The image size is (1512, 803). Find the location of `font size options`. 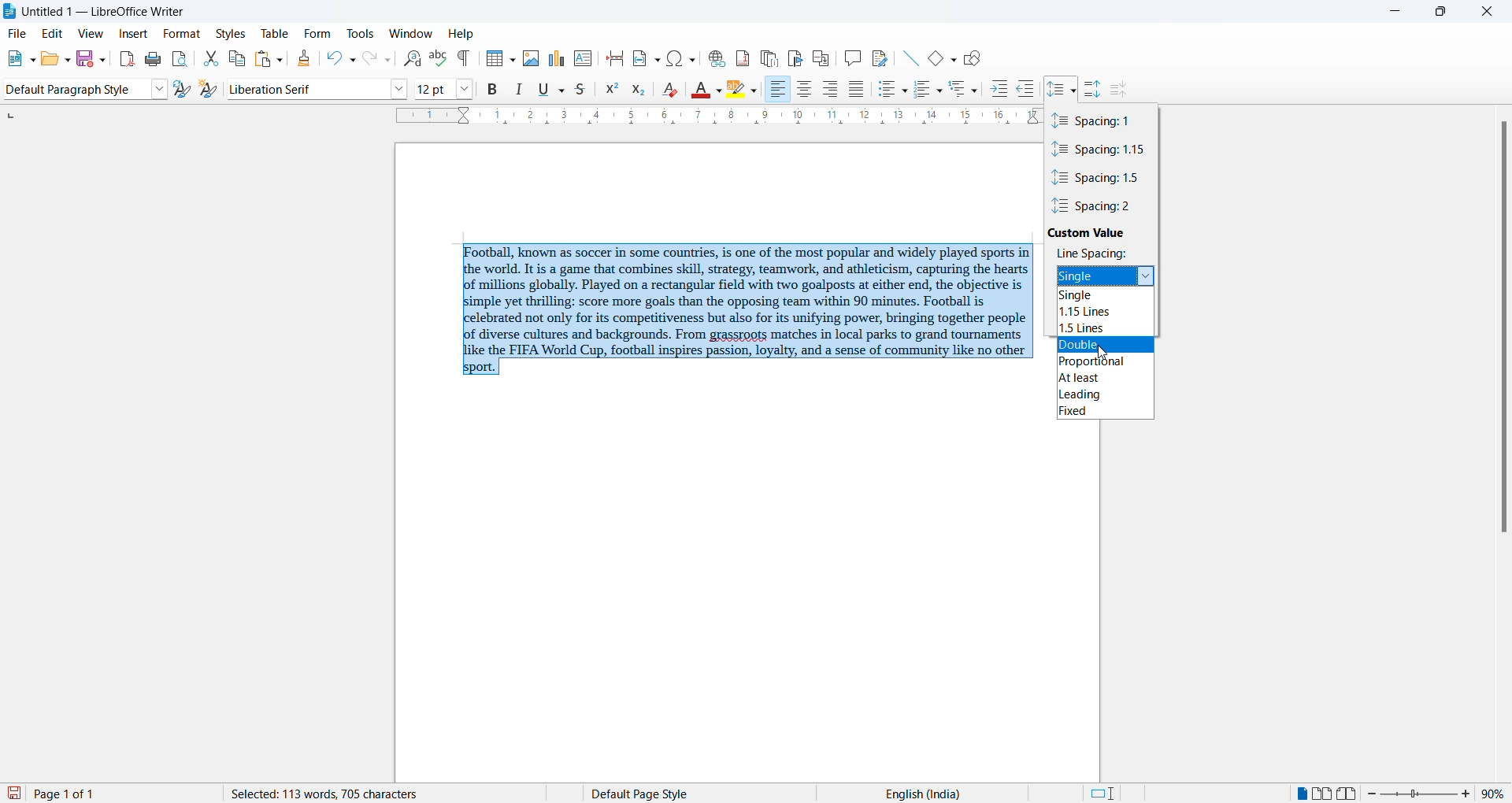

font size options is located at coordinates (465, 89).